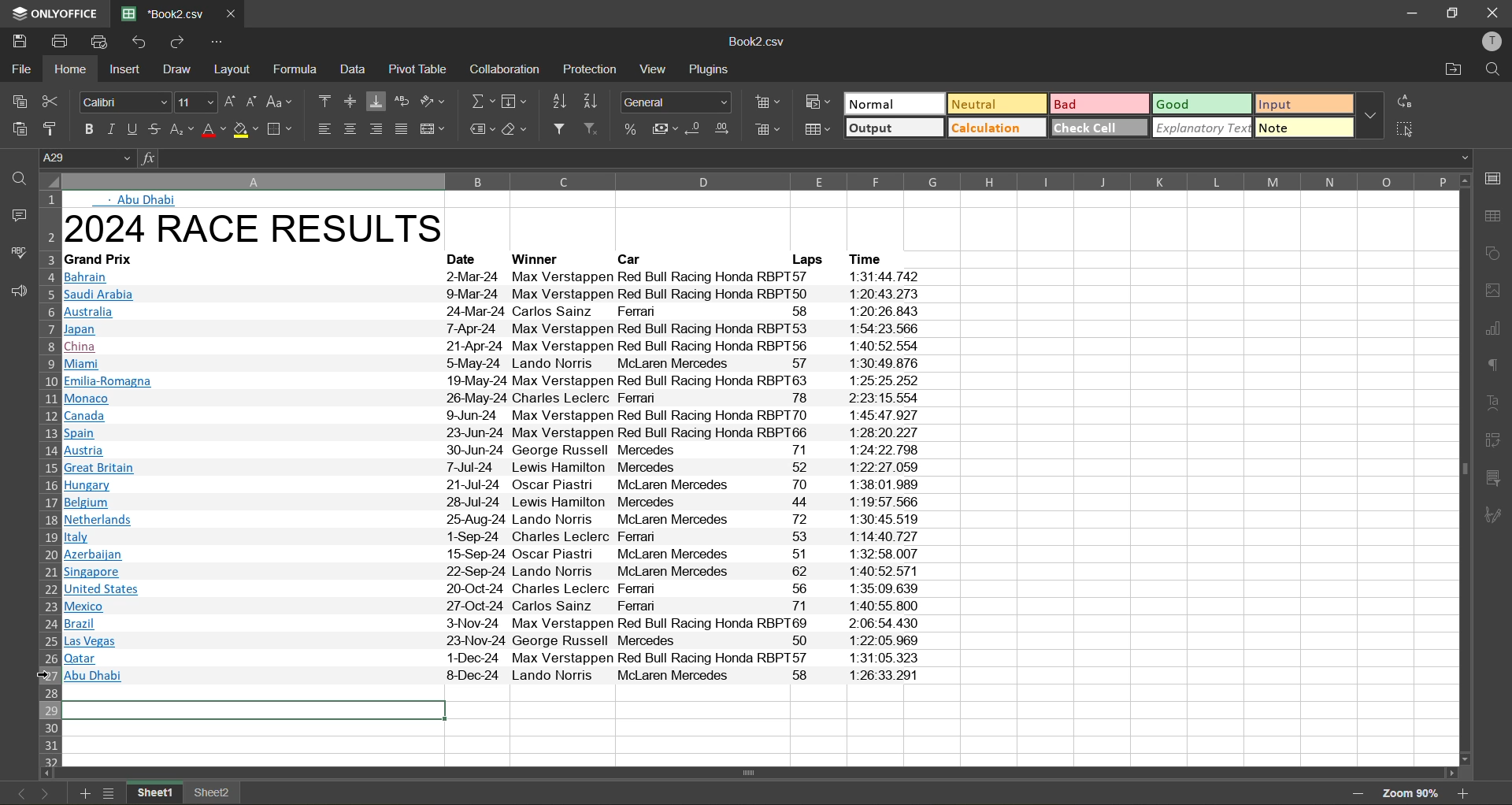 Image resolution: width=1512 pixels, height=805 pixels. I want to click on named ranges, so click(482, 128).